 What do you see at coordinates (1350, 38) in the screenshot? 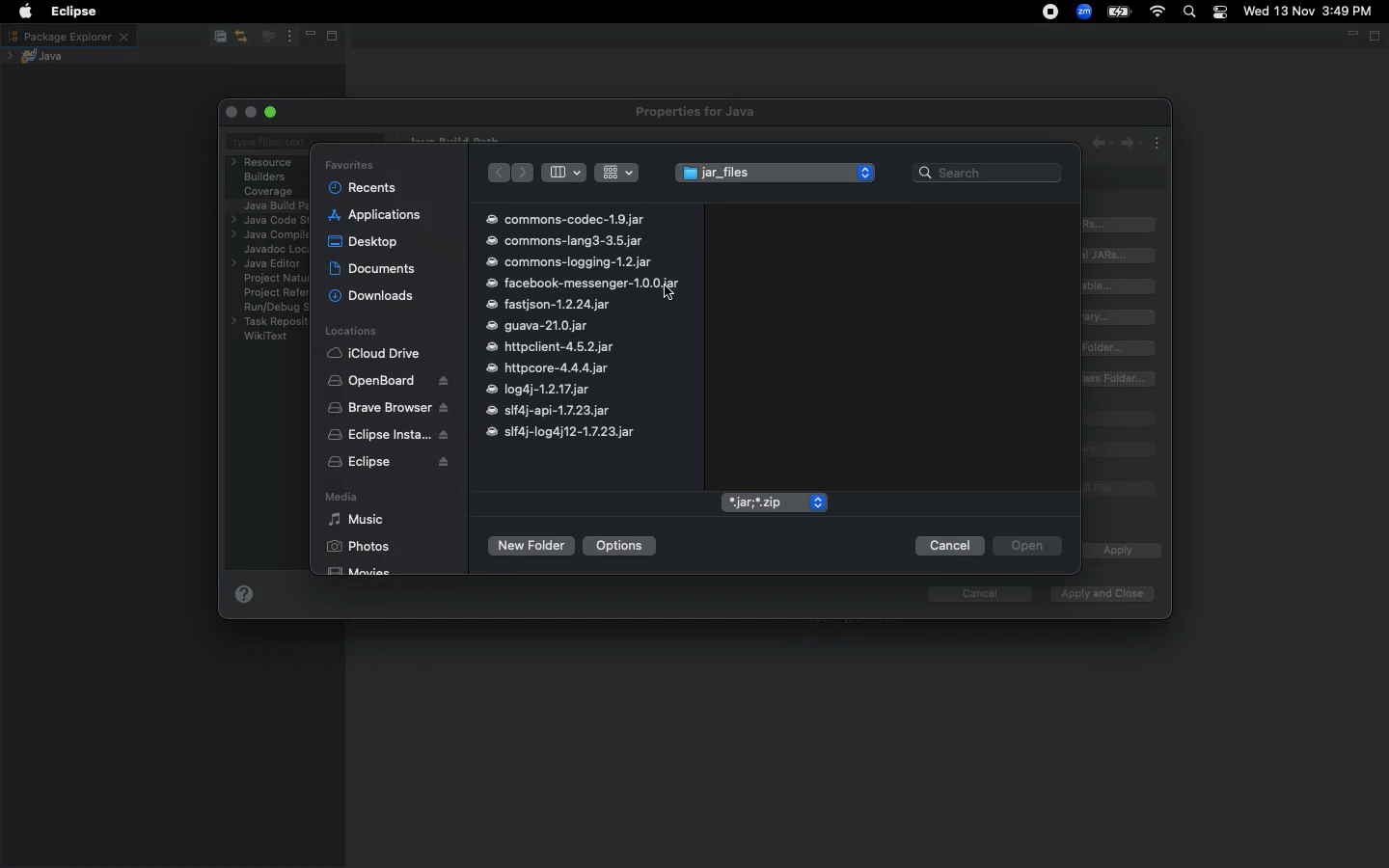
I see `Minimize` at bounding box center [1350, 38].